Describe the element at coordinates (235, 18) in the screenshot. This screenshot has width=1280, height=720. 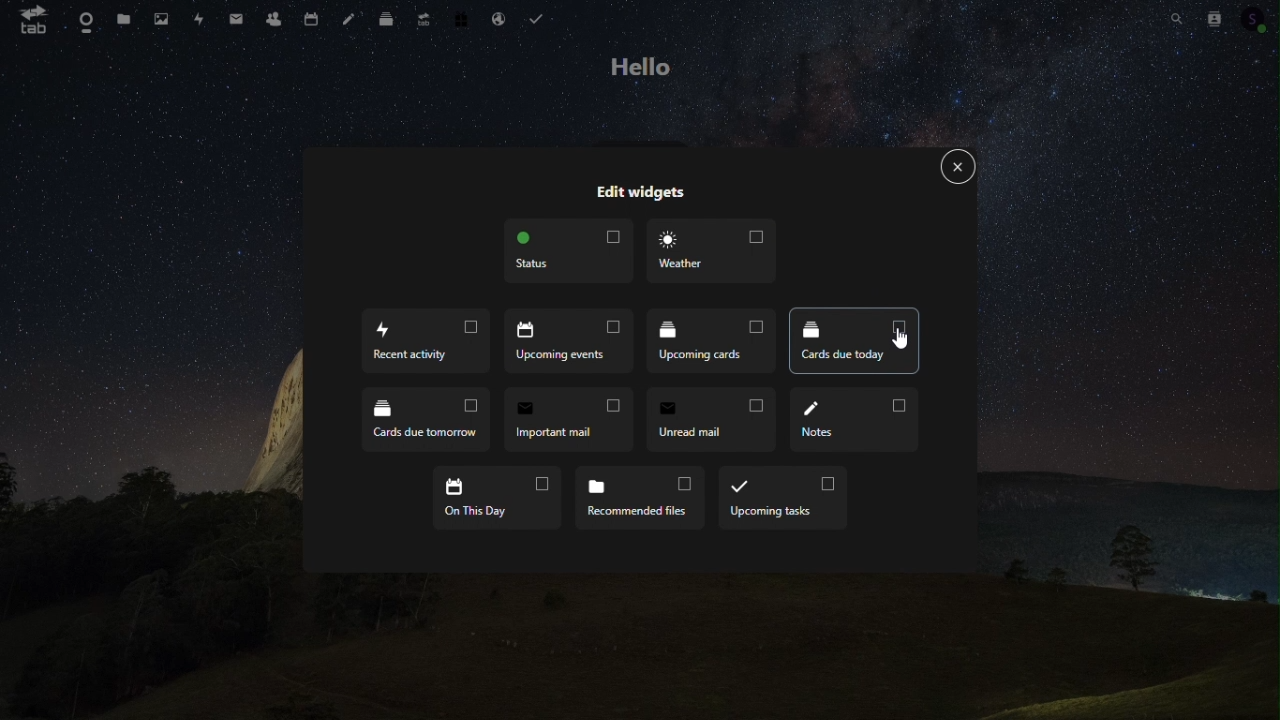
I see `mail` at that location.